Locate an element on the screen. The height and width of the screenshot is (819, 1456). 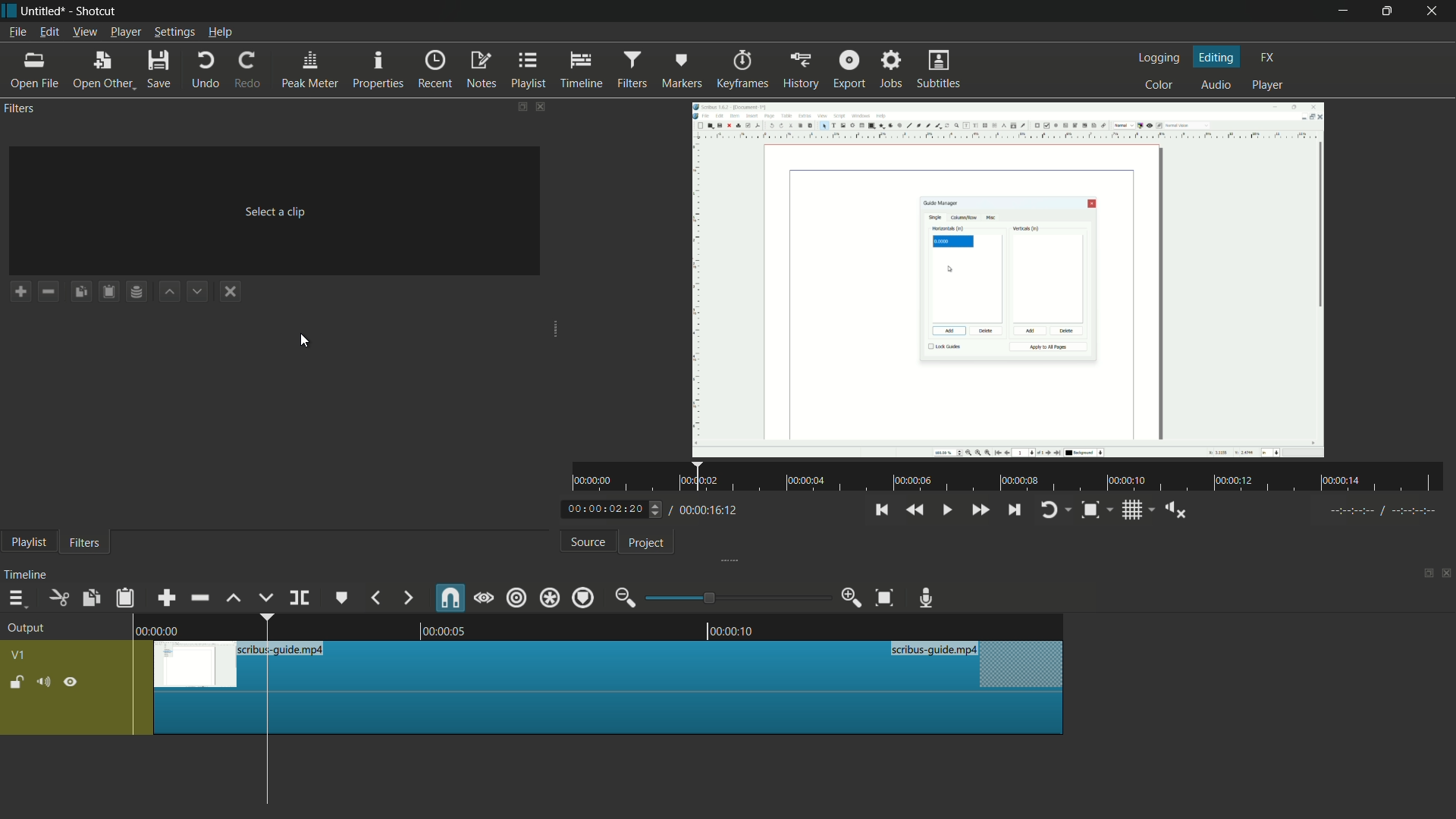
toggle grid is located at coordinates (1134, 510).